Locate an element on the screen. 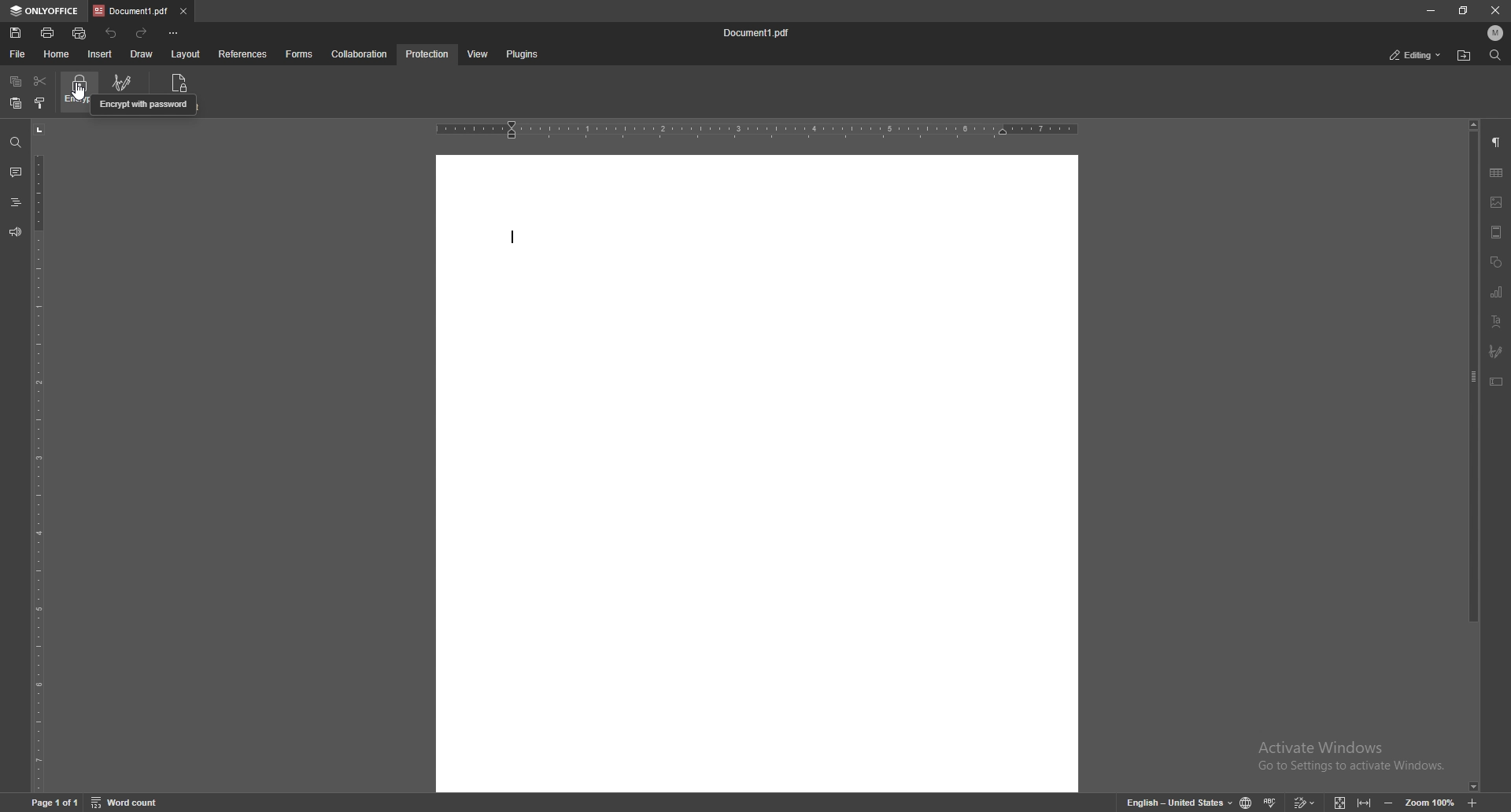 Image resolution: width=1511 pixels, height=812 pixels. find is located at coordinates (15, 142).